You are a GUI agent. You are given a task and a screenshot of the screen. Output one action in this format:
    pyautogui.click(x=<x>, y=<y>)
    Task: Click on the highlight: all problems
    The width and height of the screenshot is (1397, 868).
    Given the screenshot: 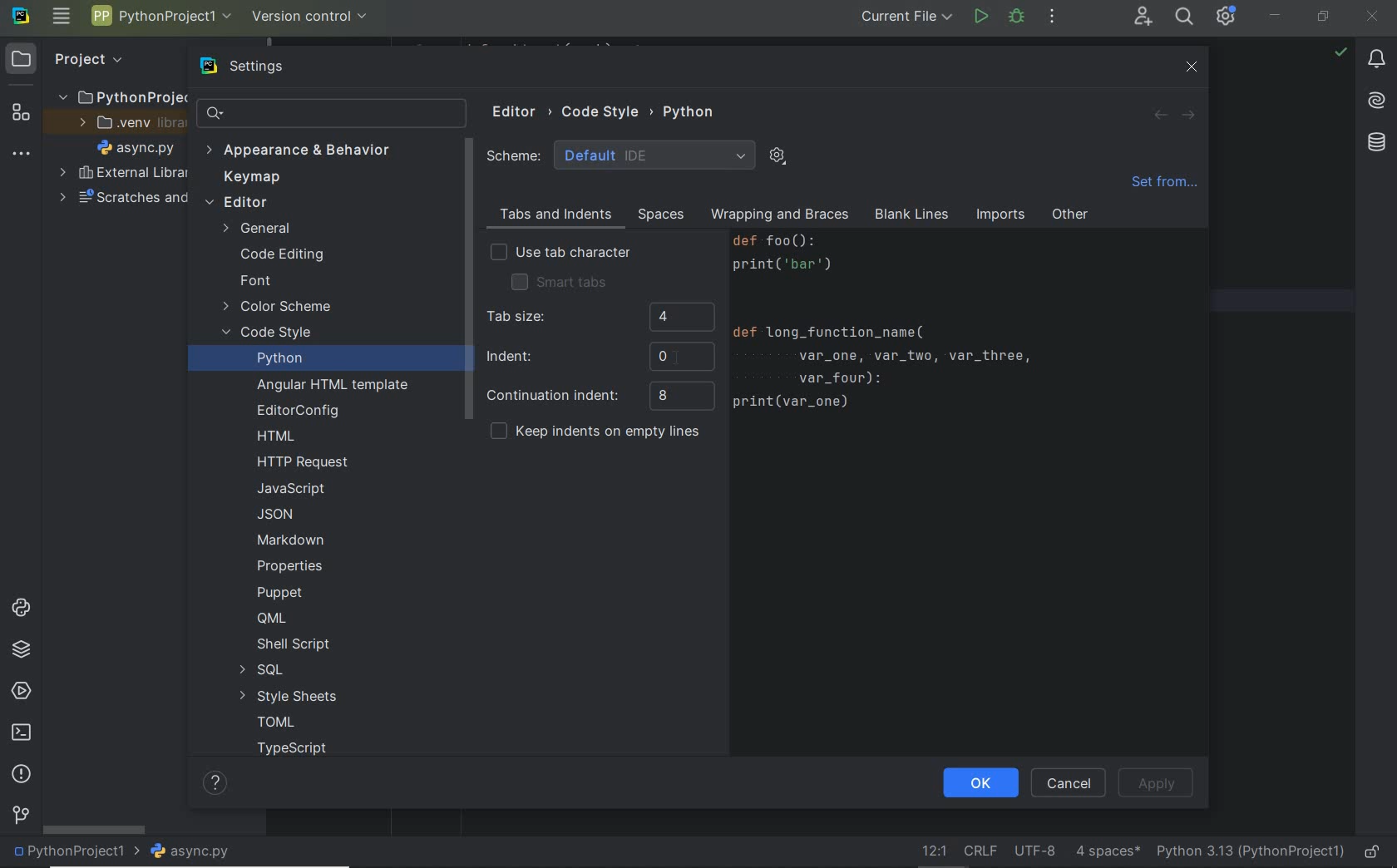 What is the action you would take?
    pyautogui.click(x=1339, y=53)
    